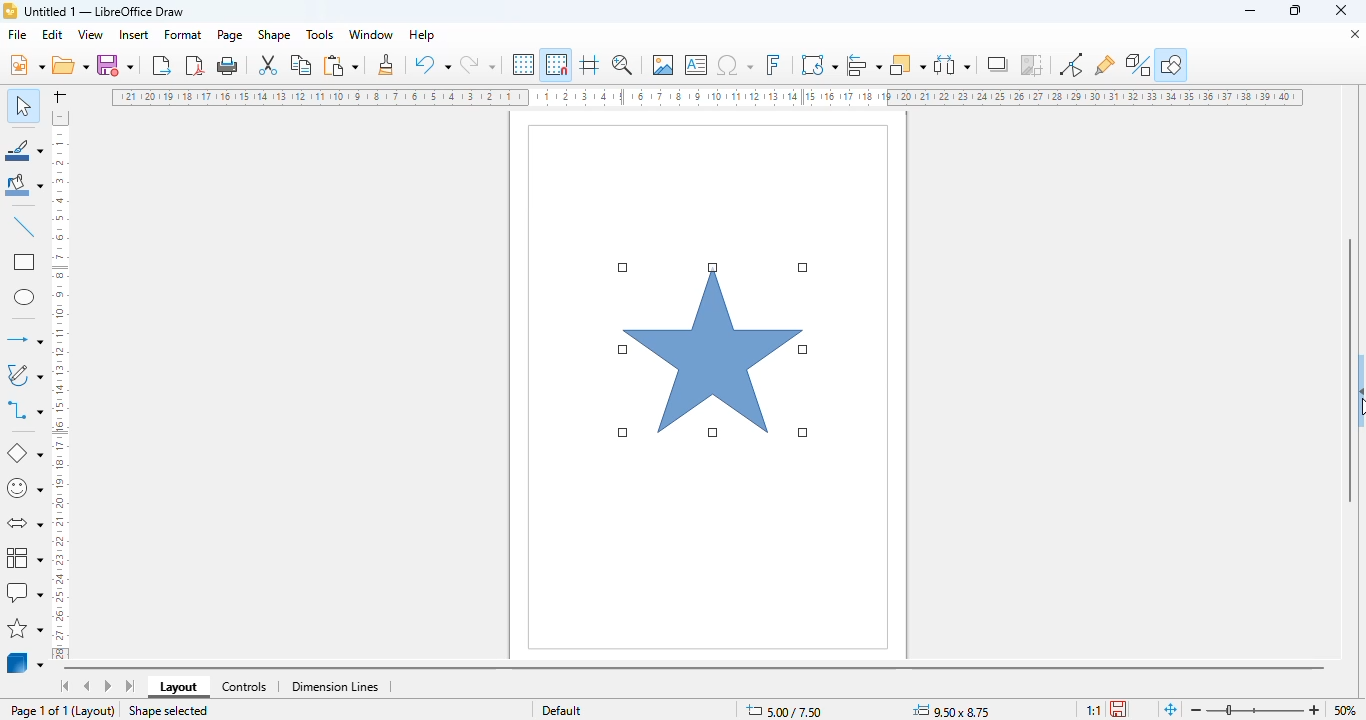  I want to click on callout shapes, so click(24, 591).